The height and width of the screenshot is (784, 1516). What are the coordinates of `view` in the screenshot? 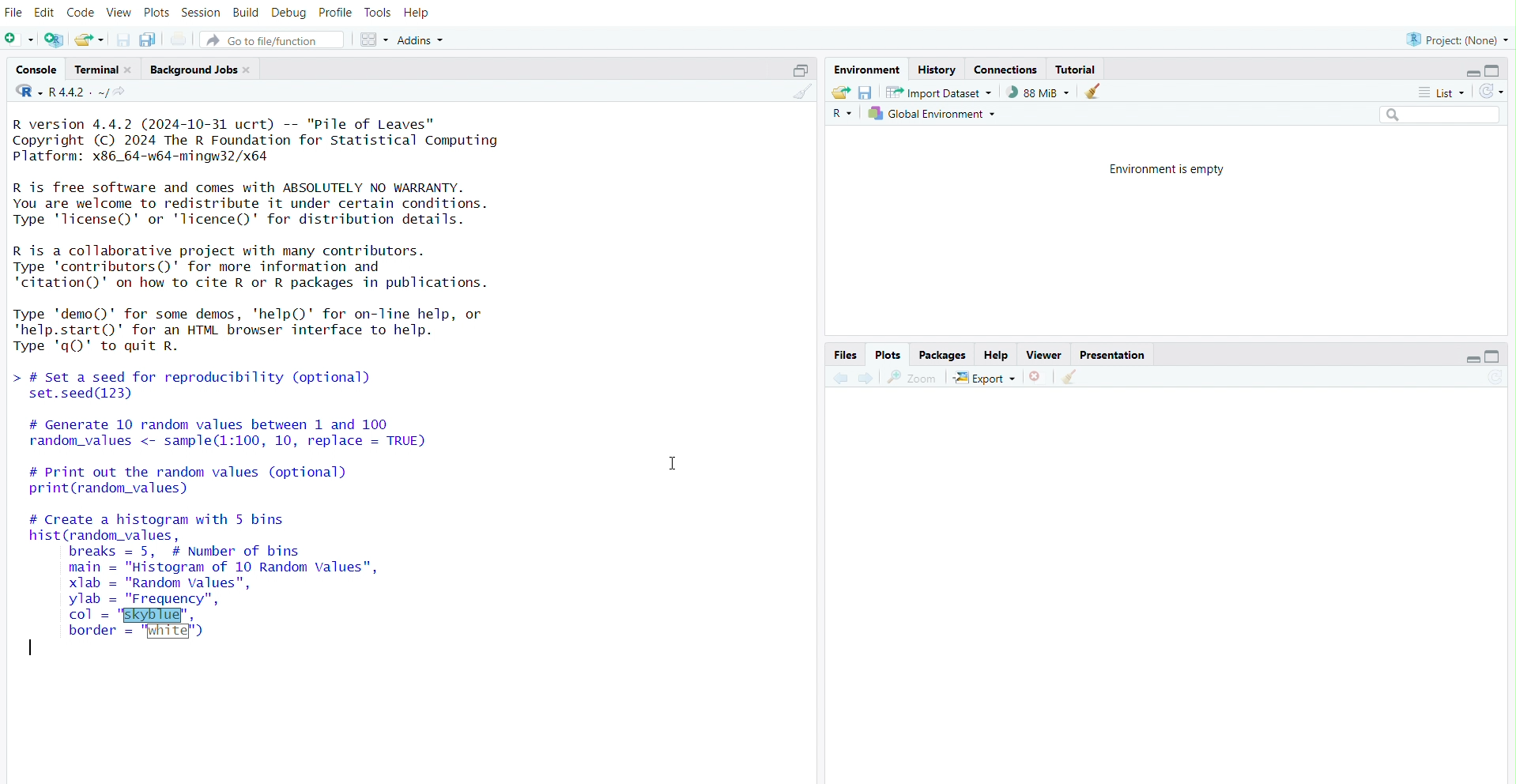 It's located at (119, 9).